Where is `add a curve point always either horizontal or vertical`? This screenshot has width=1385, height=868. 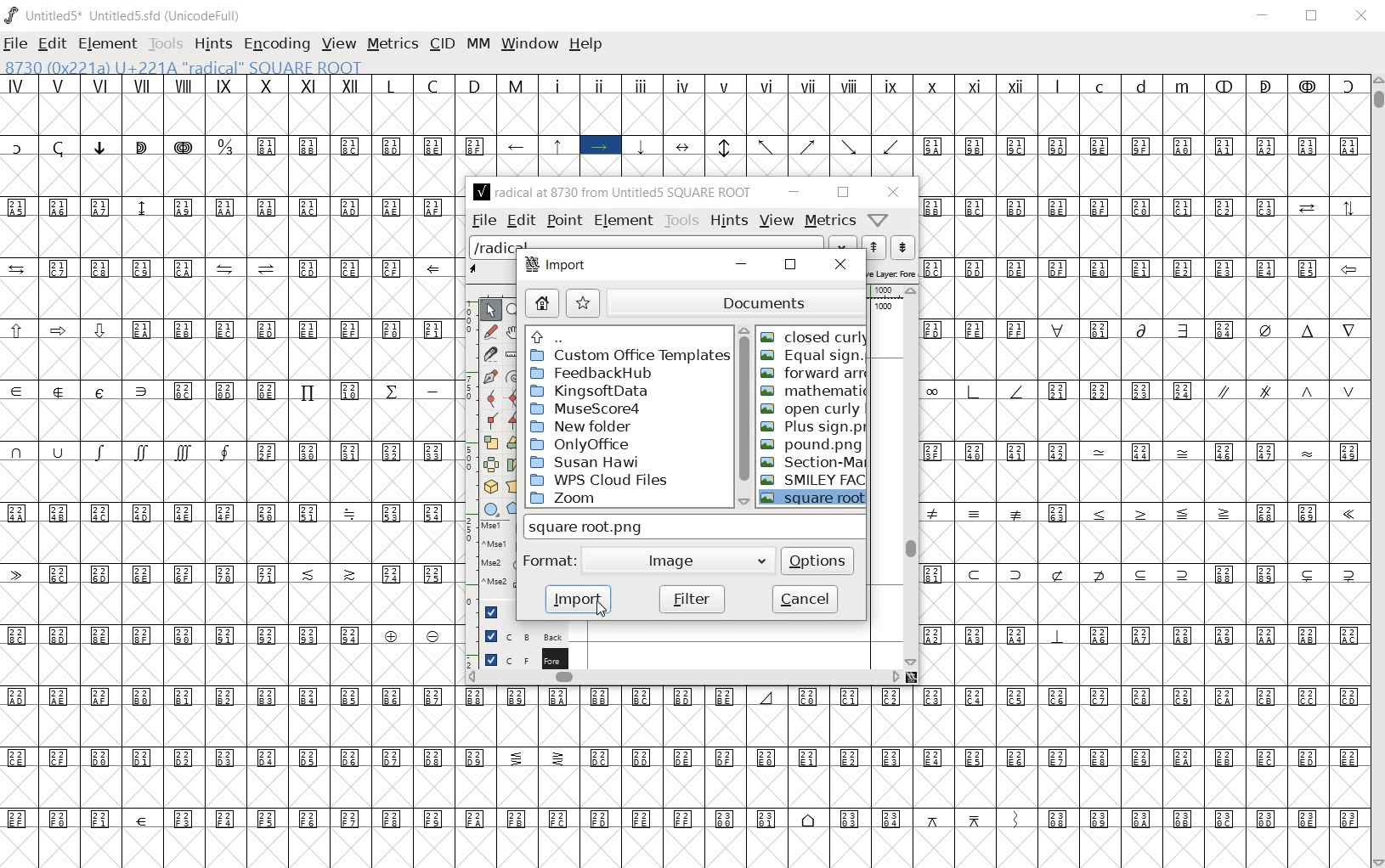 add a curve point always either horizontal or vertical is located at coordinates (511, 397).